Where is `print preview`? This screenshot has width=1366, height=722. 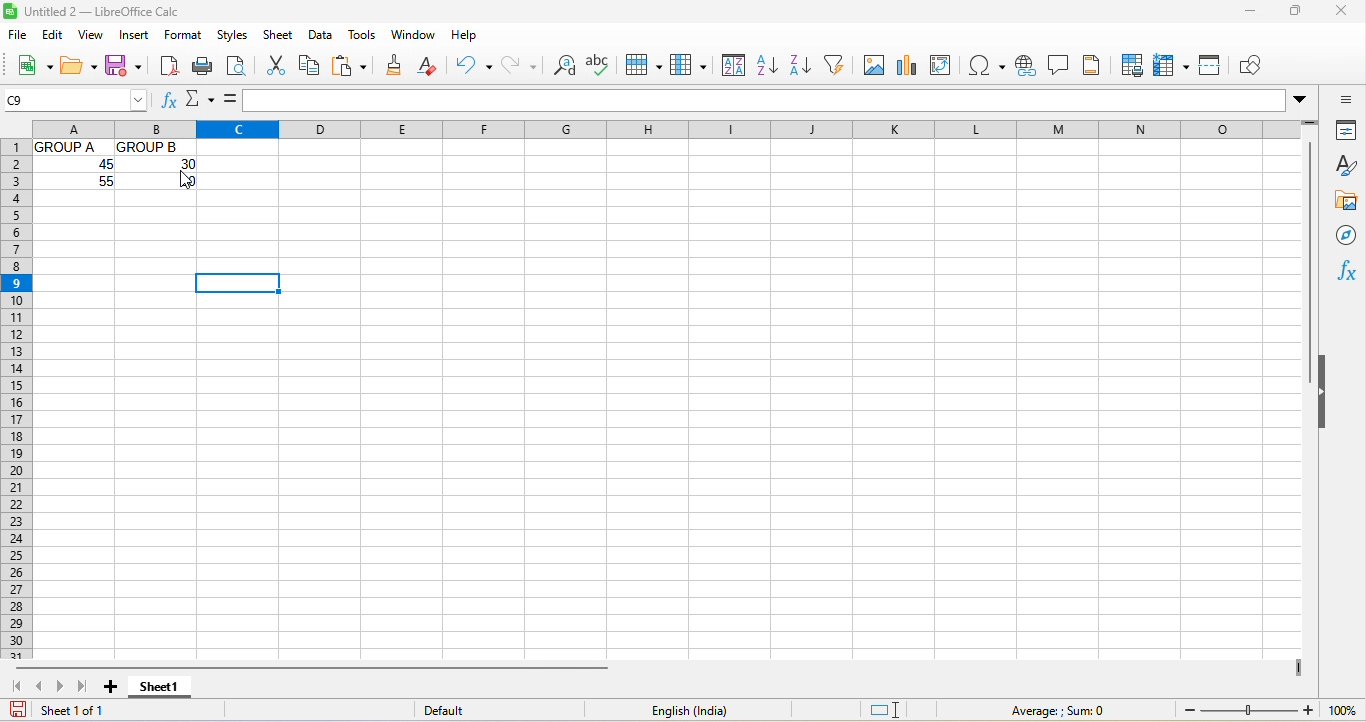 print preview is located at coordinates (236, 67).